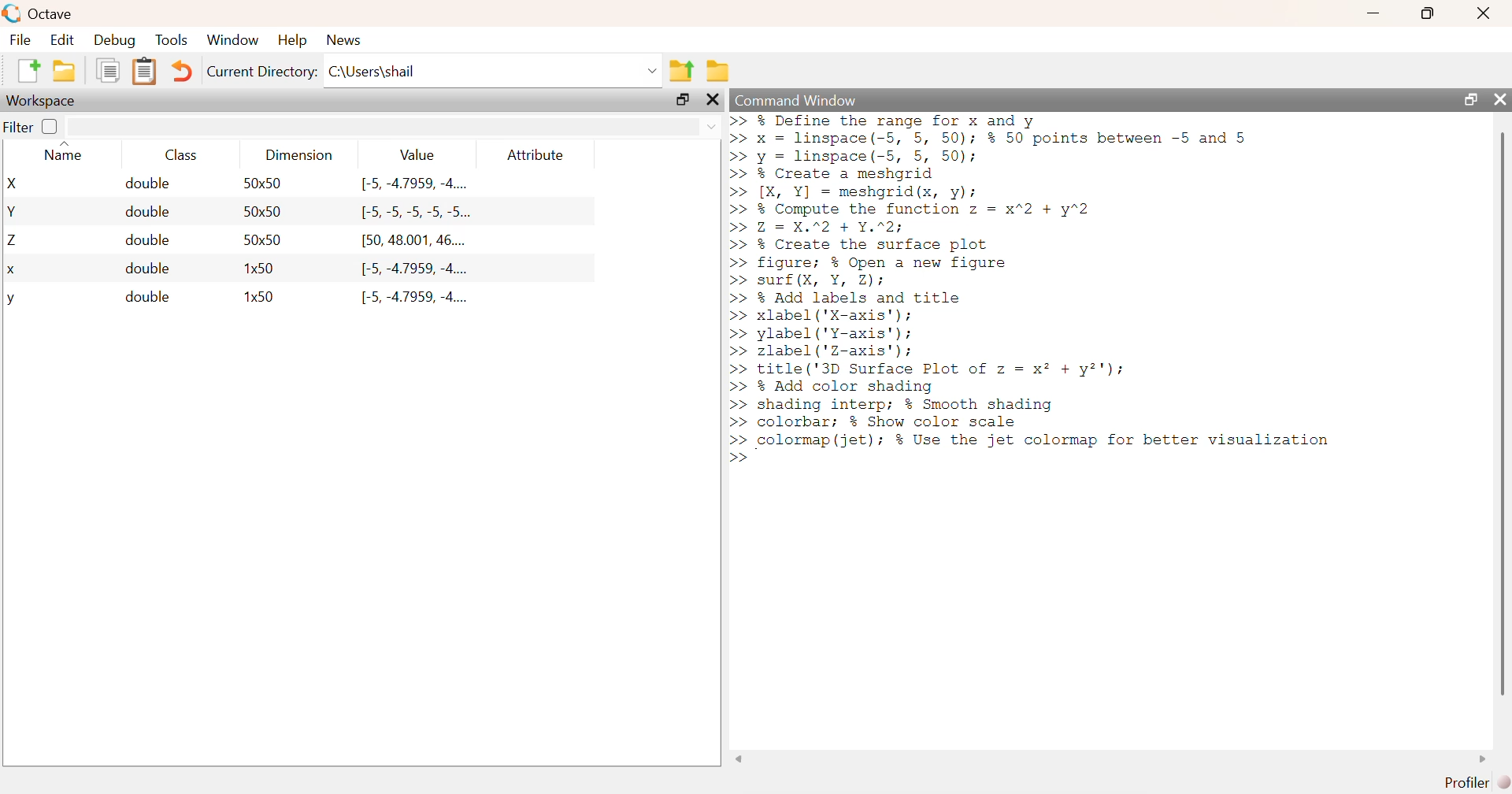  What do you see at coordinates (1477, 783) in the screenshot?
I see `Profiler` at bounding box center [1477, 783].